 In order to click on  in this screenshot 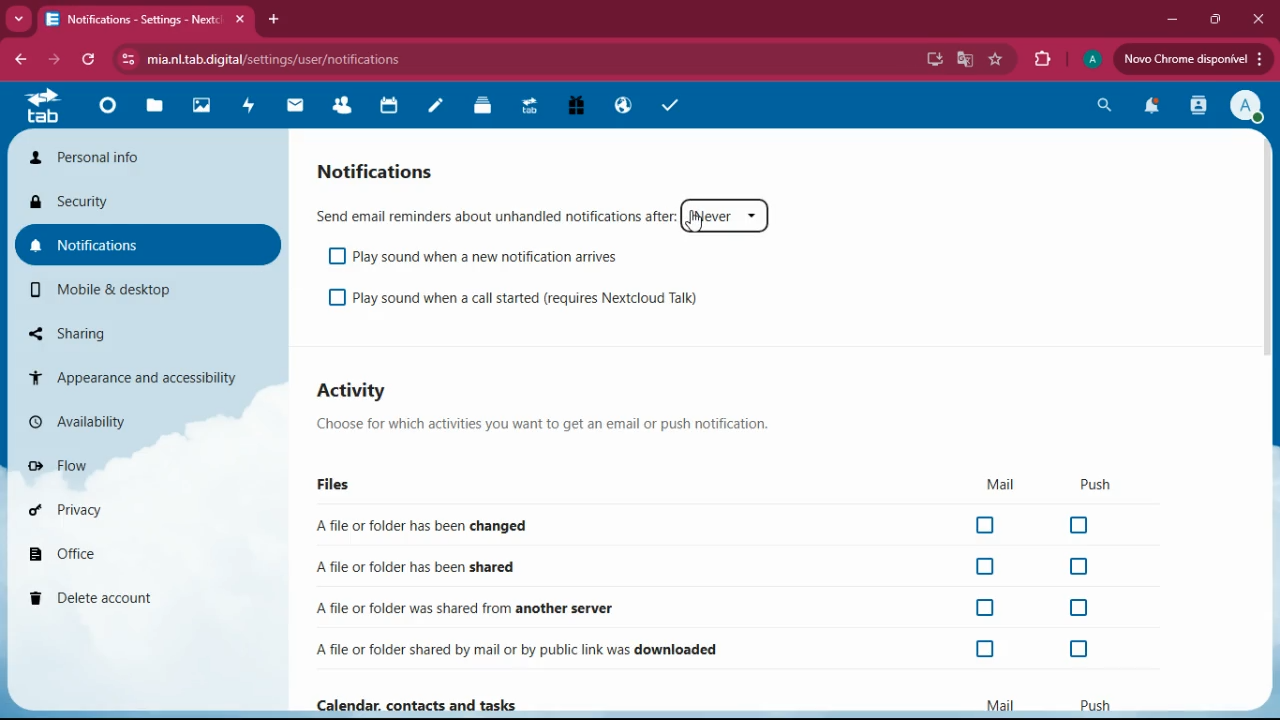, I will do `click(273, 19)`.